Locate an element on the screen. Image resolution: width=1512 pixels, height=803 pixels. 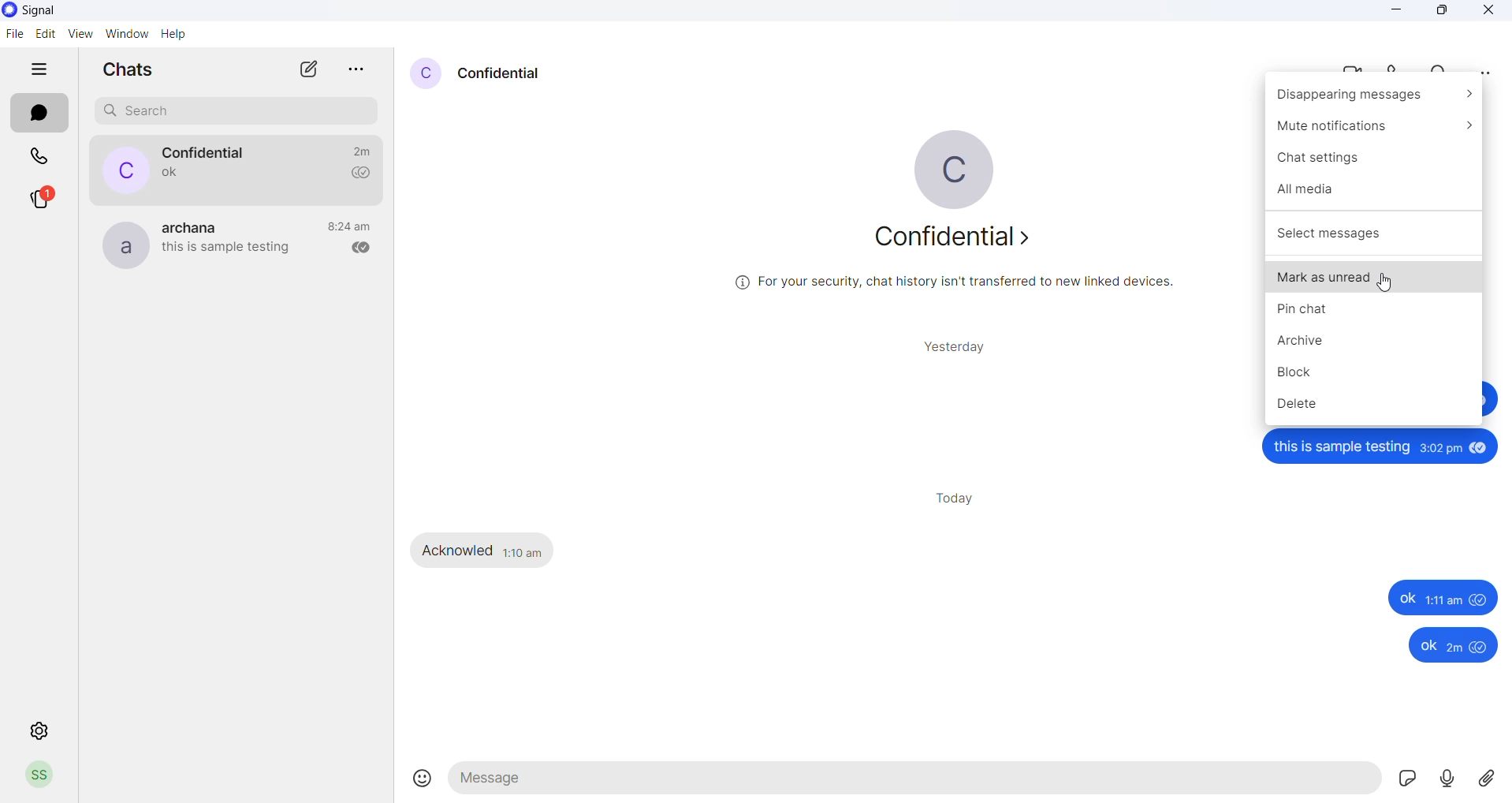
last message time is located at coordinates (349, 226).